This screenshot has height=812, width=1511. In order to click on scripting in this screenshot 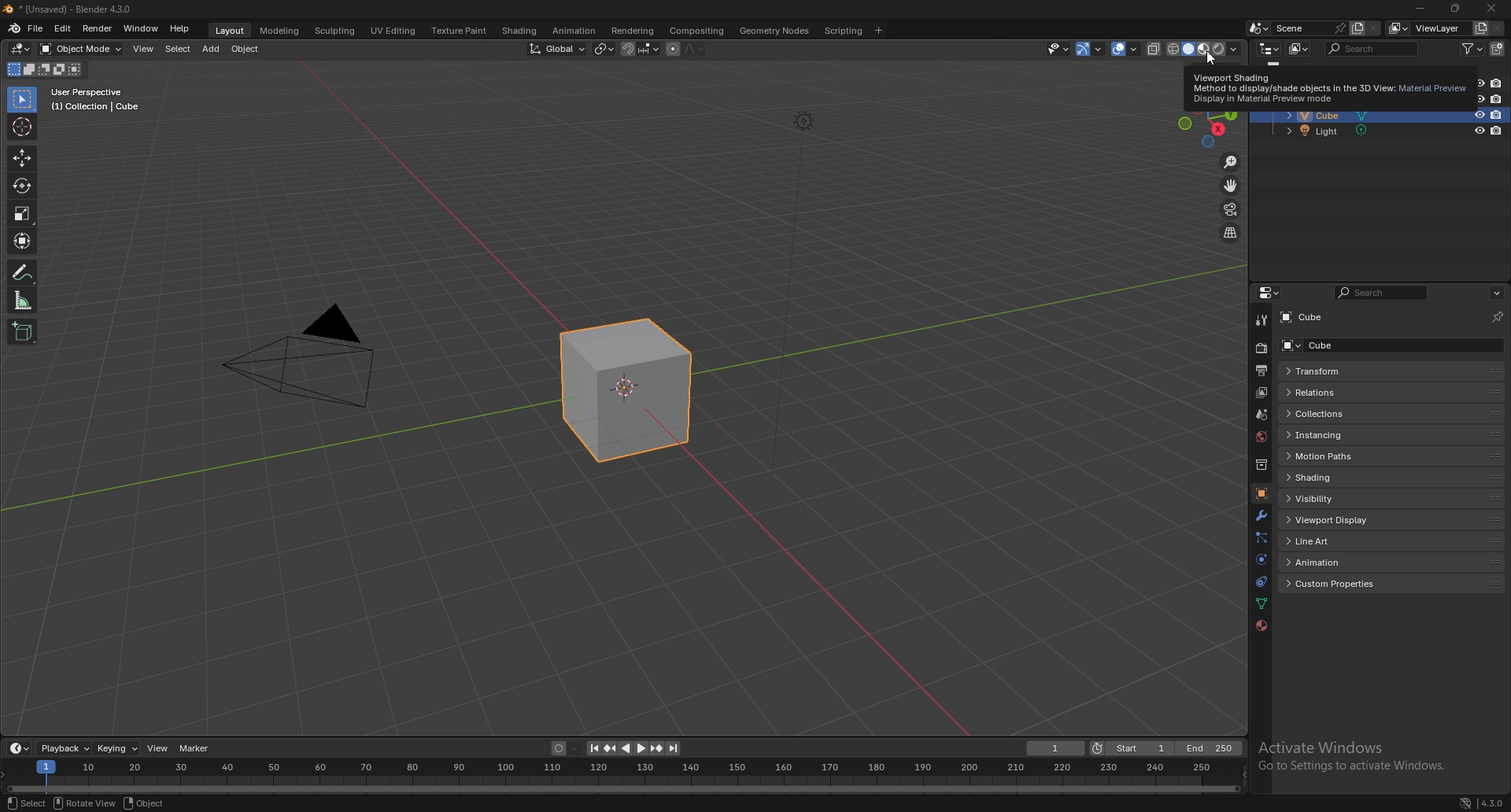, I will do `click(843, 31)`.